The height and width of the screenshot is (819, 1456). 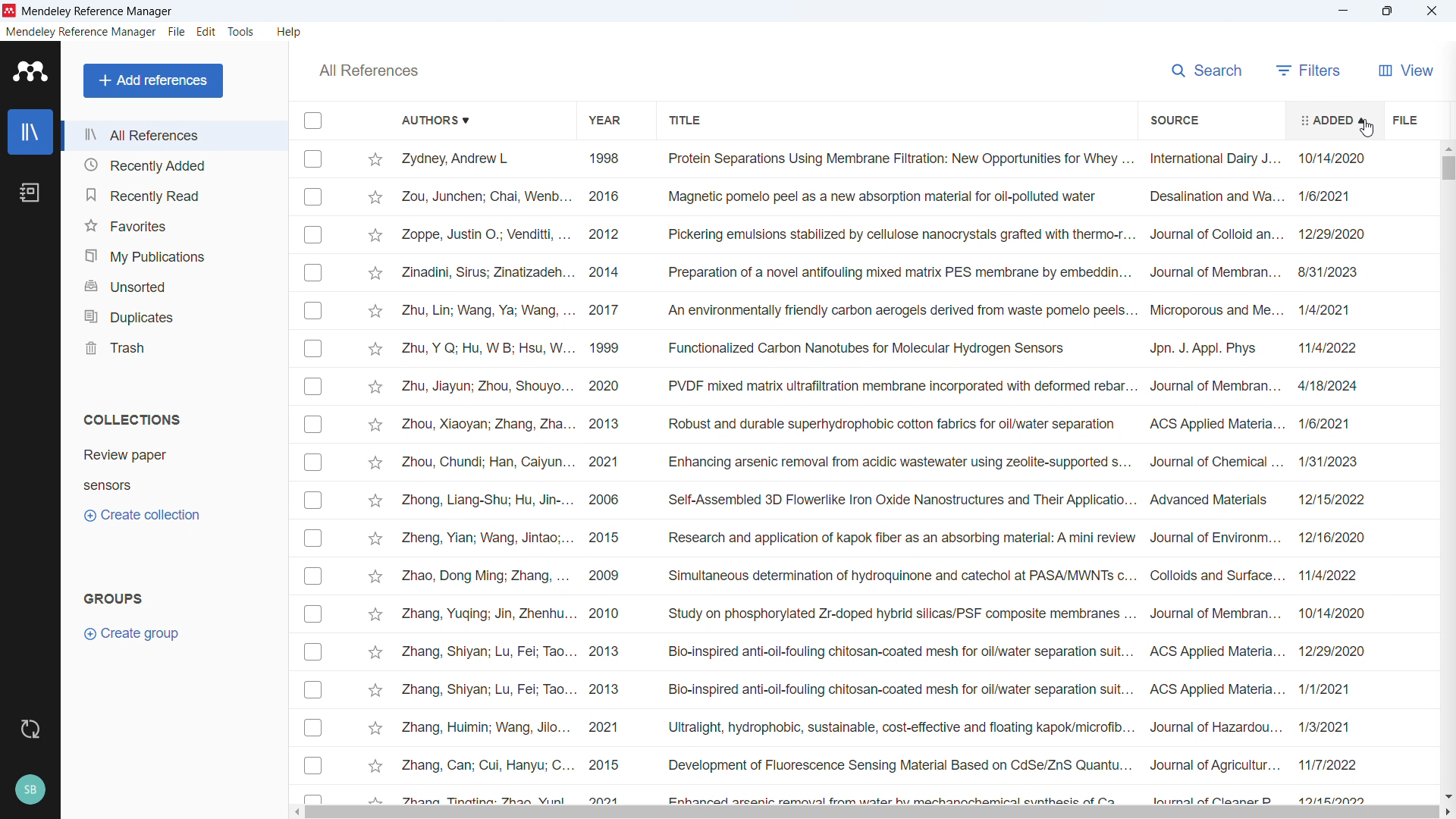 What do you see at coordinates (143, 516) in the screenshot?
I see `Create collection ` at bounding box center [143, 516].